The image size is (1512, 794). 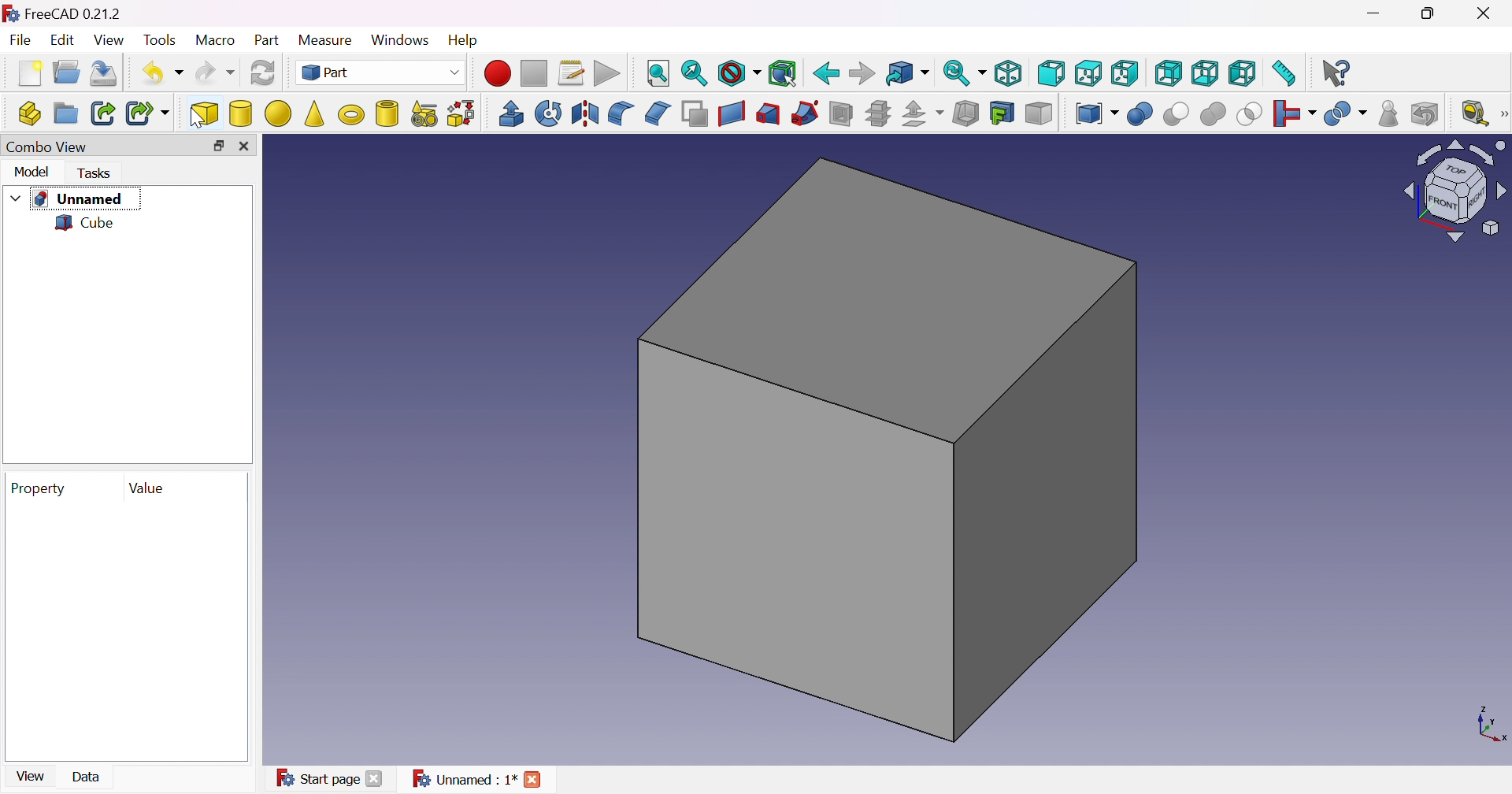 I want to click on Intersection, so click(x=1250, y=114).